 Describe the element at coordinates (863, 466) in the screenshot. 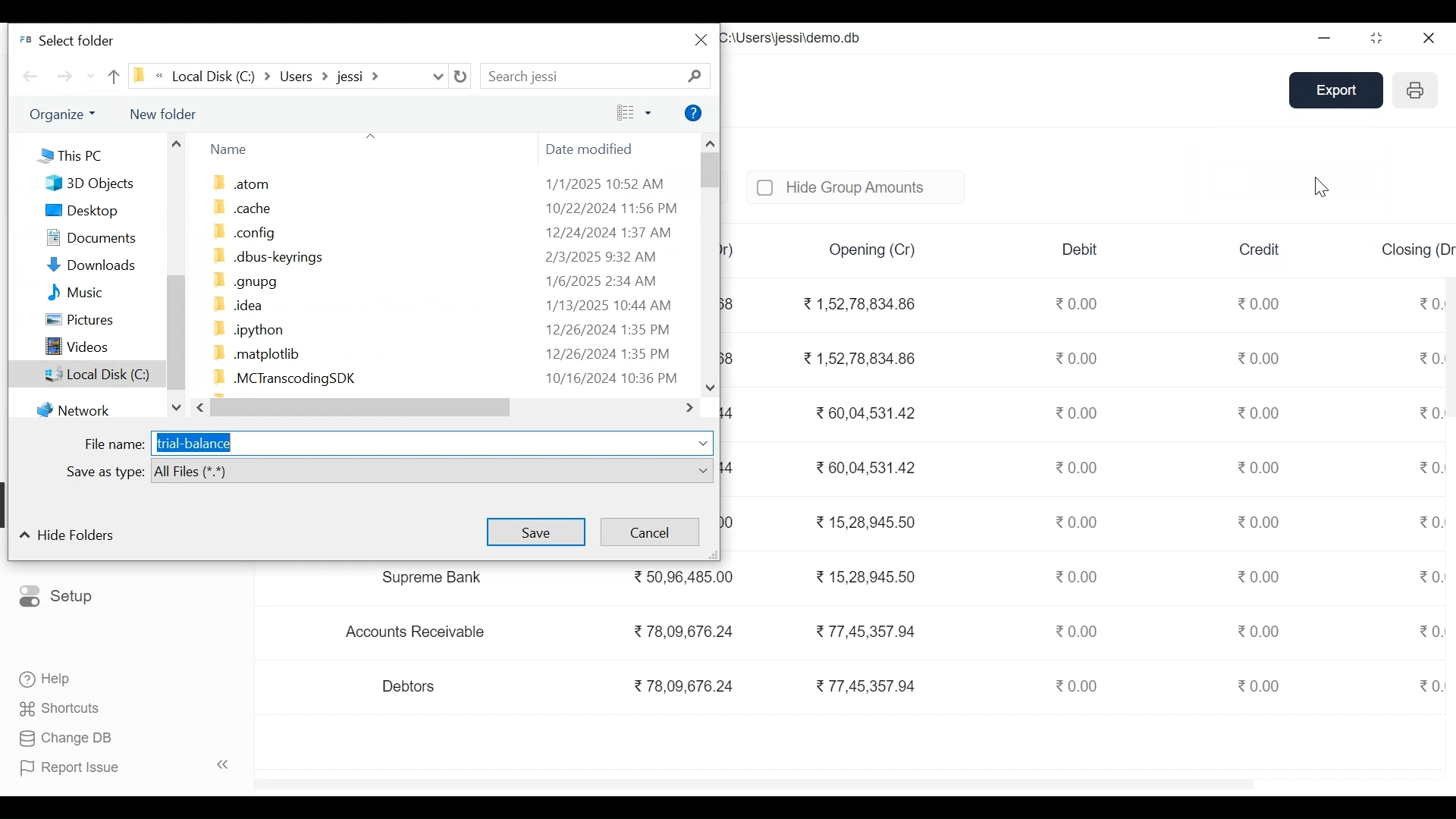

I see `60,04,531.42` at that location.